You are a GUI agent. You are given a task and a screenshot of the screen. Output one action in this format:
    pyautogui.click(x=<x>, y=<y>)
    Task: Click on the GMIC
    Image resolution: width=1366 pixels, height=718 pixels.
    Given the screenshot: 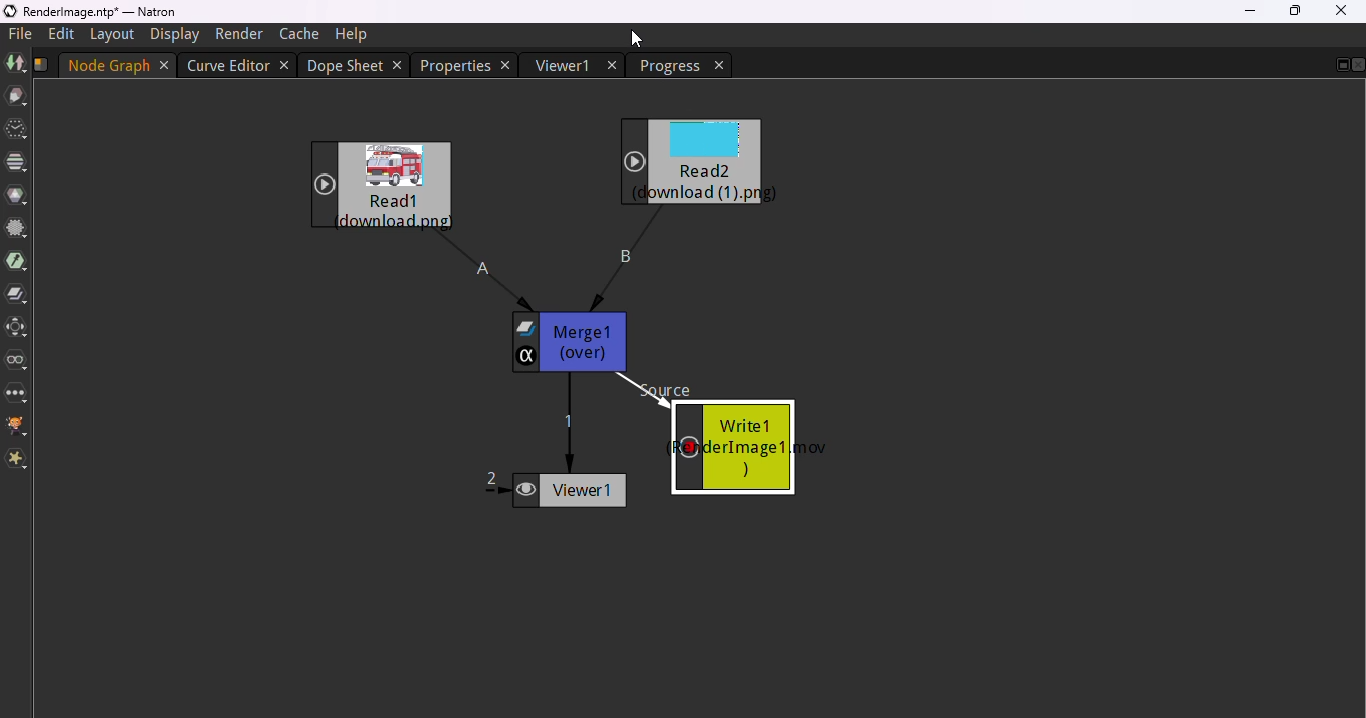 What is the action you would take?
    pyautogui.click(x=17, y=426)
    